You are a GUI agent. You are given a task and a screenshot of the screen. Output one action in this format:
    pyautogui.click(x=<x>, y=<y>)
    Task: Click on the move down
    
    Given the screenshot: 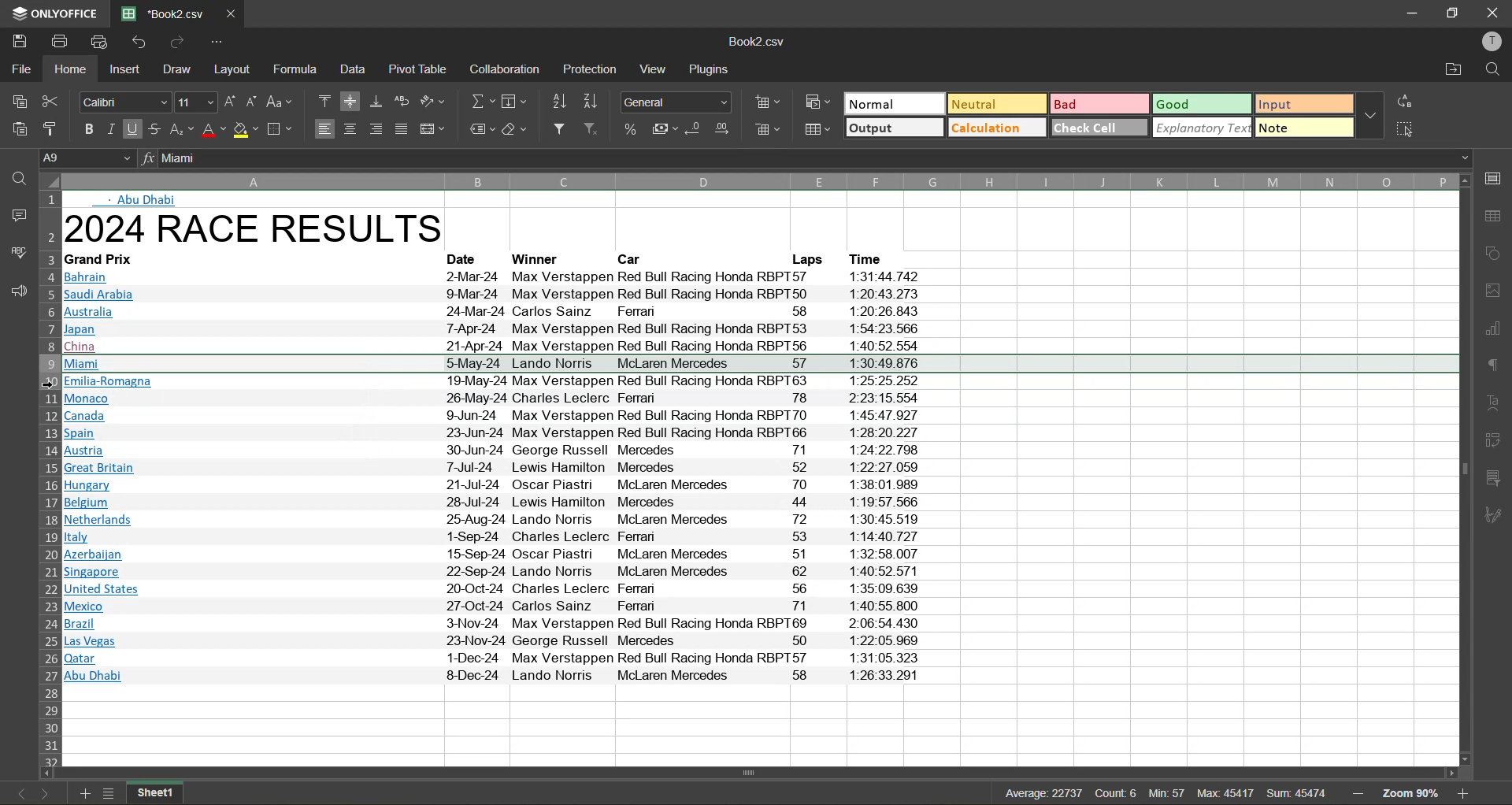 What is the action you would take?
    pyautogui.click(x=1464, y=759)
    